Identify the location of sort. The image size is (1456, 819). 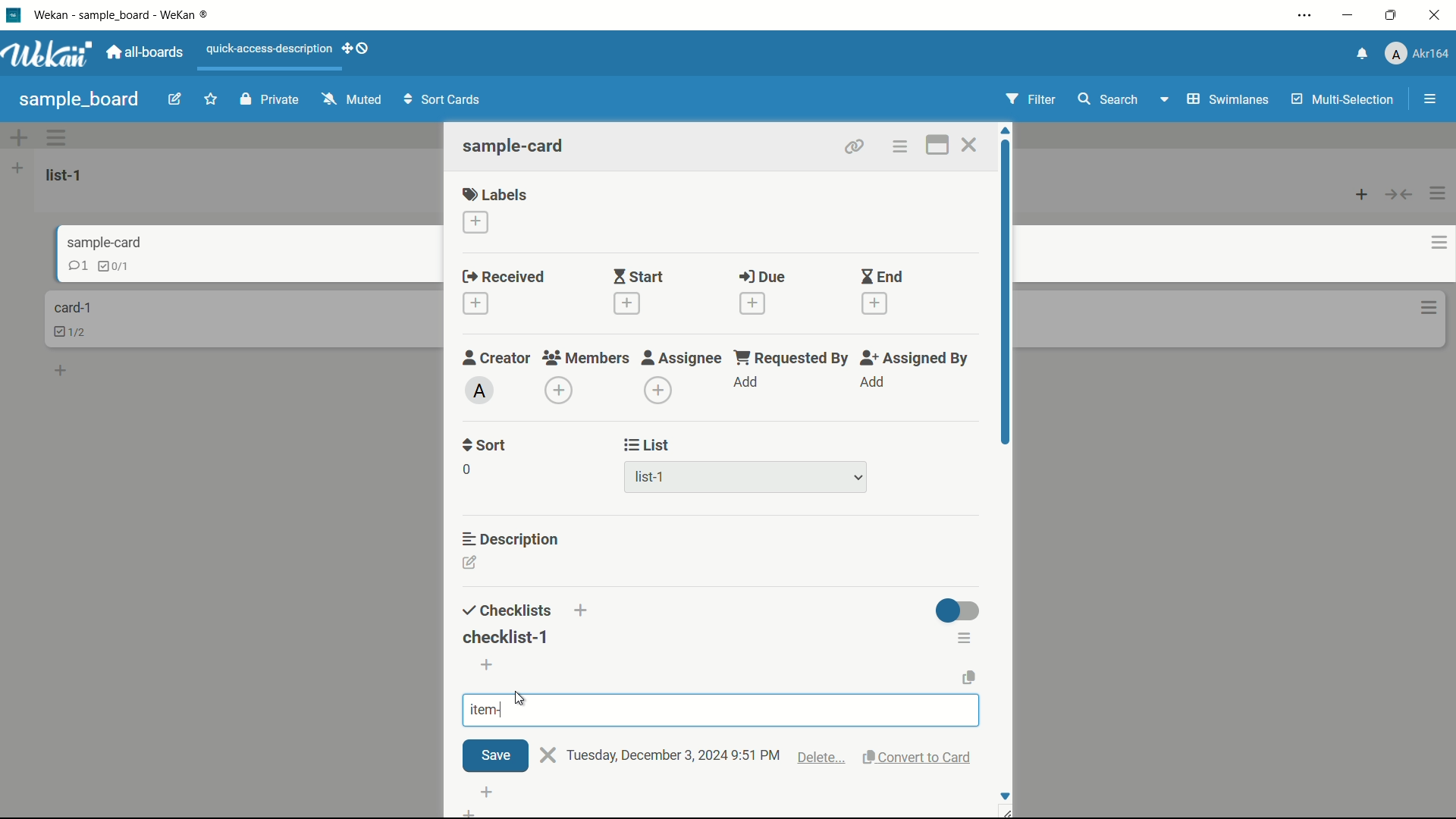
(485, 447).